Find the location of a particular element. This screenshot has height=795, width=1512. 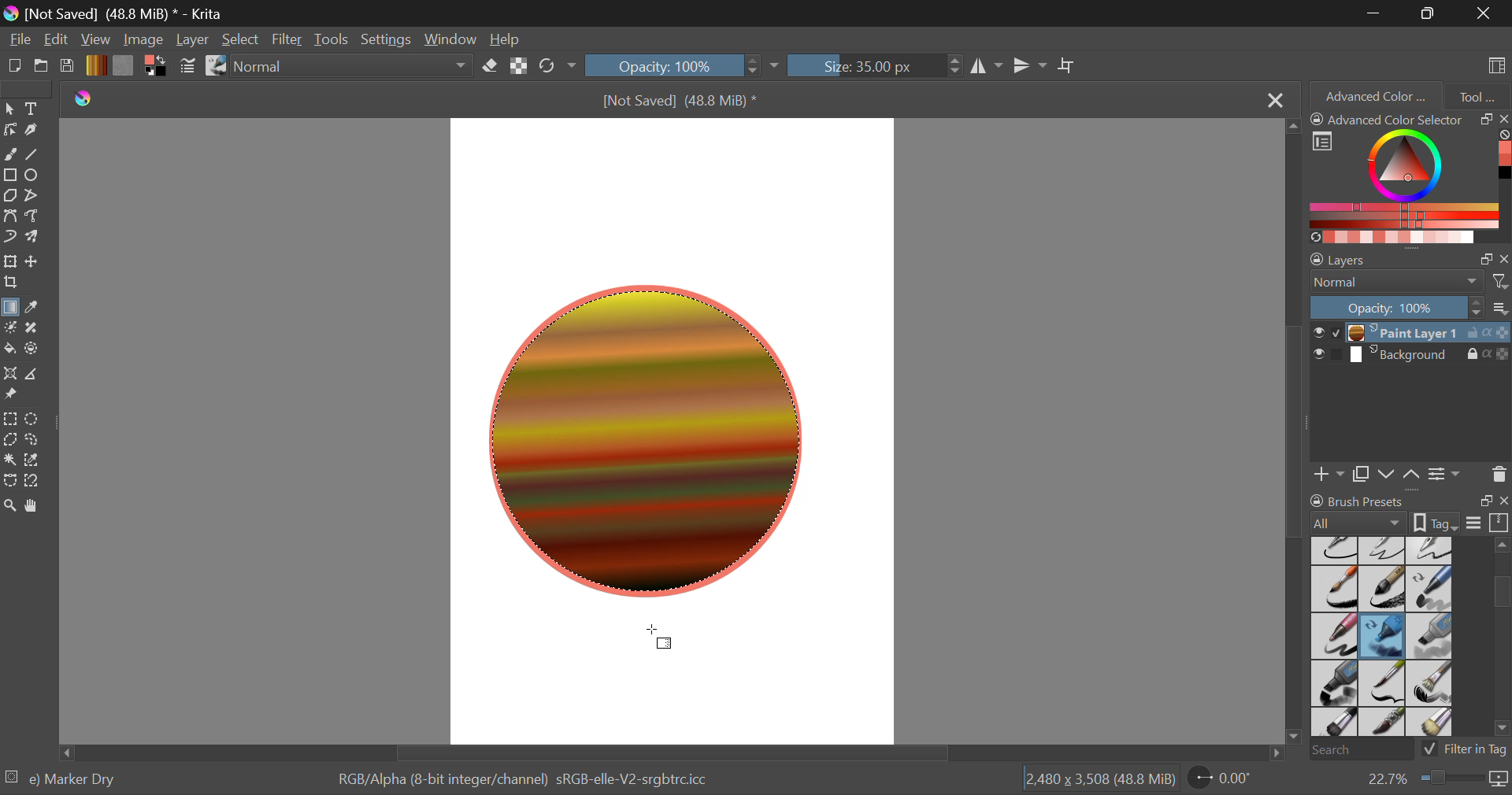

Layer is located at coordinates (192, 39).